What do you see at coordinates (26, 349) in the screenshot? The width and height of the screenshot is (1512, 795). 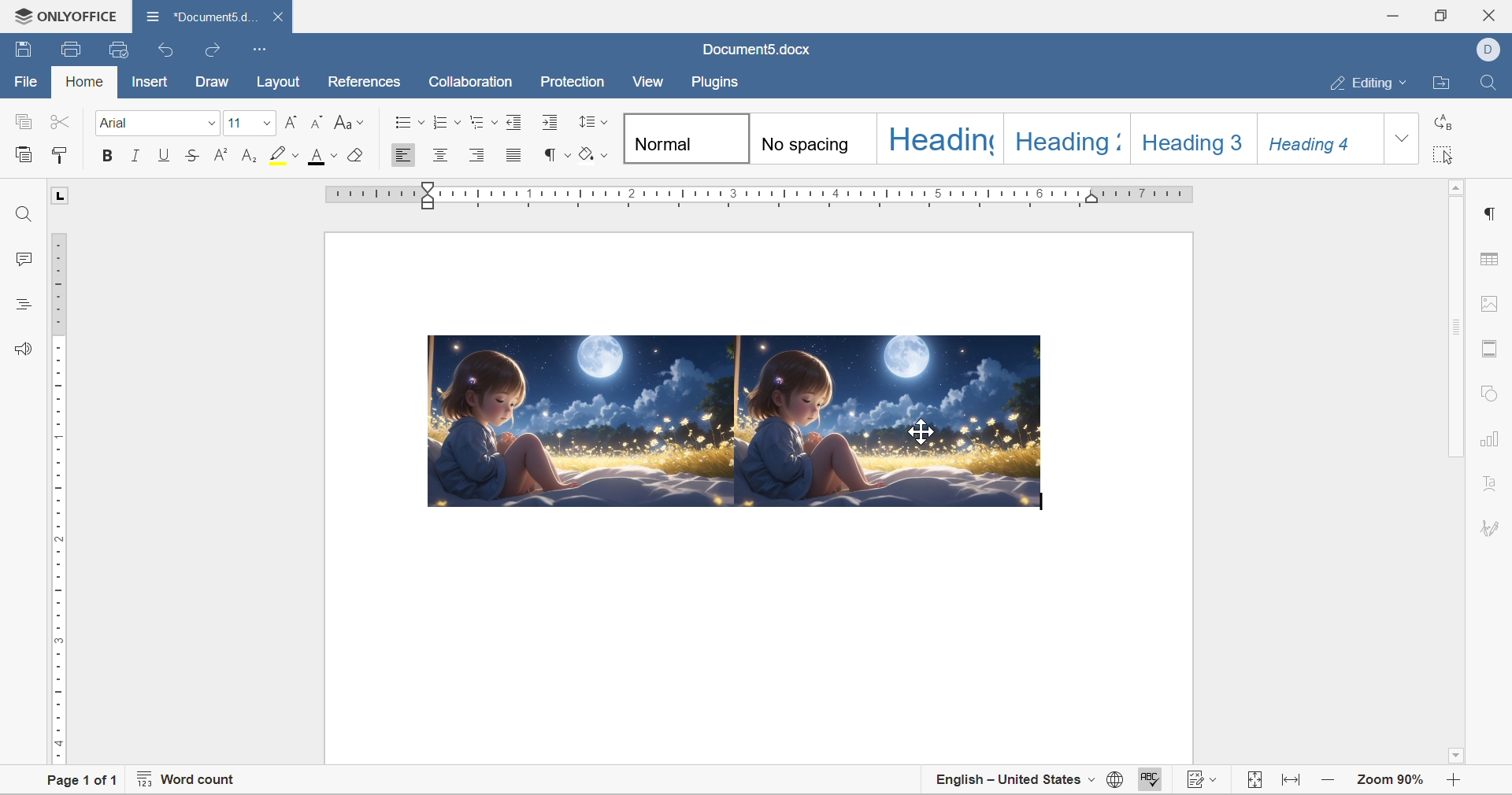 I see `feedback and support` at bounding box center [26, 349].